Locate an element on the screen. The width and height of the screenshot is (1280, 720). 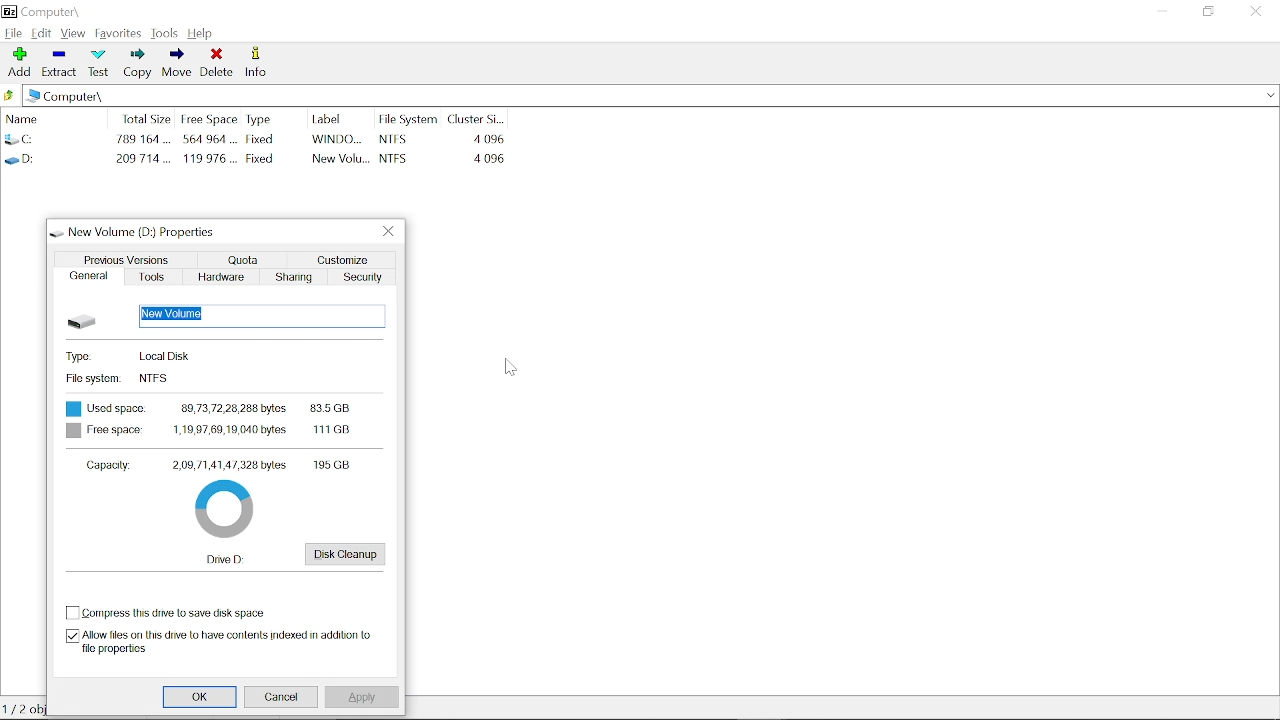
copy is located at coordinates (139, 64).